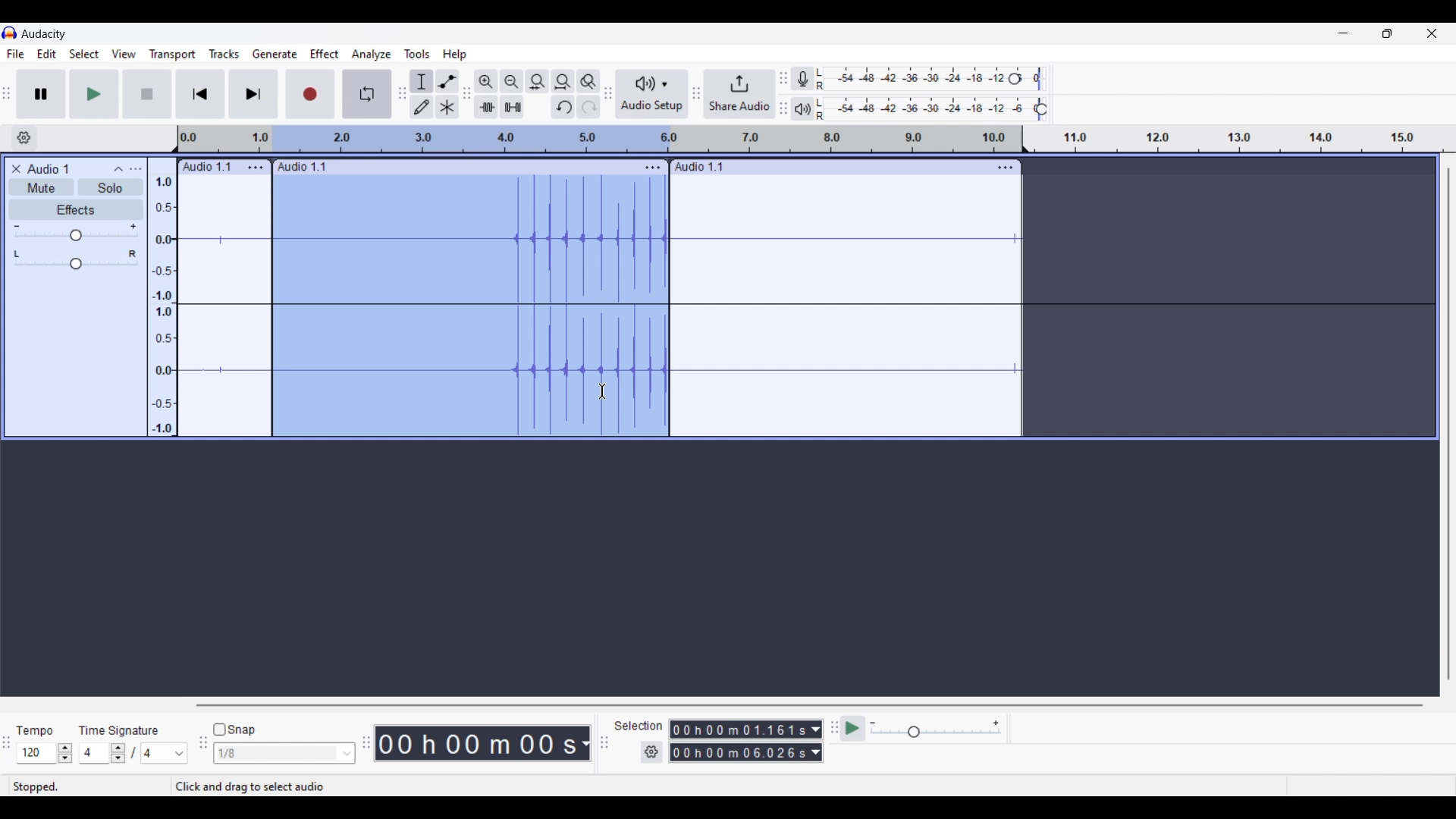 The height and width of the screenshot is (819, 1456). Describe the element at coordinates (537, 81) in the screenshot. I see `Fit selection to width` at that location.